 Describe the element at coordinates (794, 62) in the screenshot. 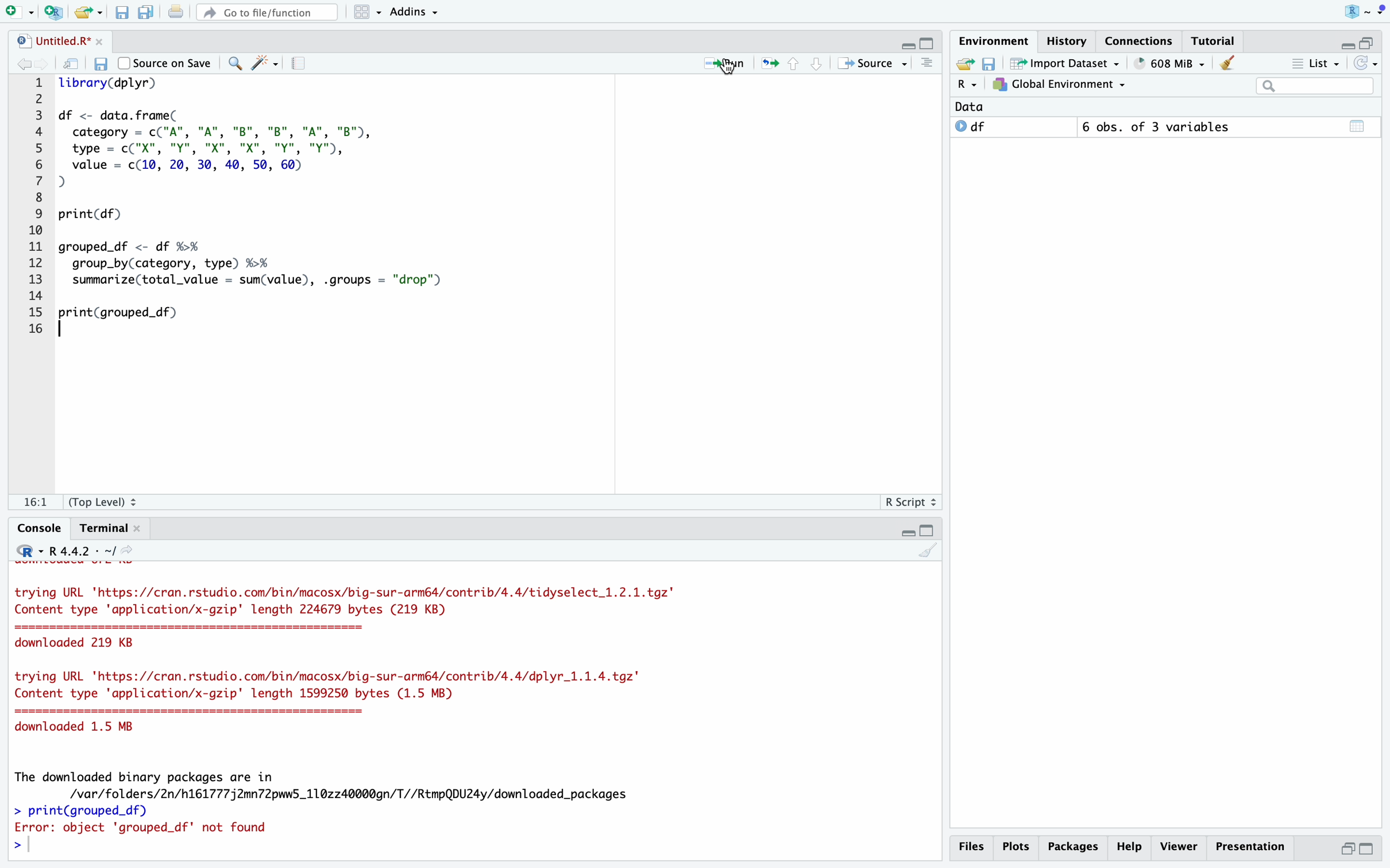

I see `Go to previous section` at that location.